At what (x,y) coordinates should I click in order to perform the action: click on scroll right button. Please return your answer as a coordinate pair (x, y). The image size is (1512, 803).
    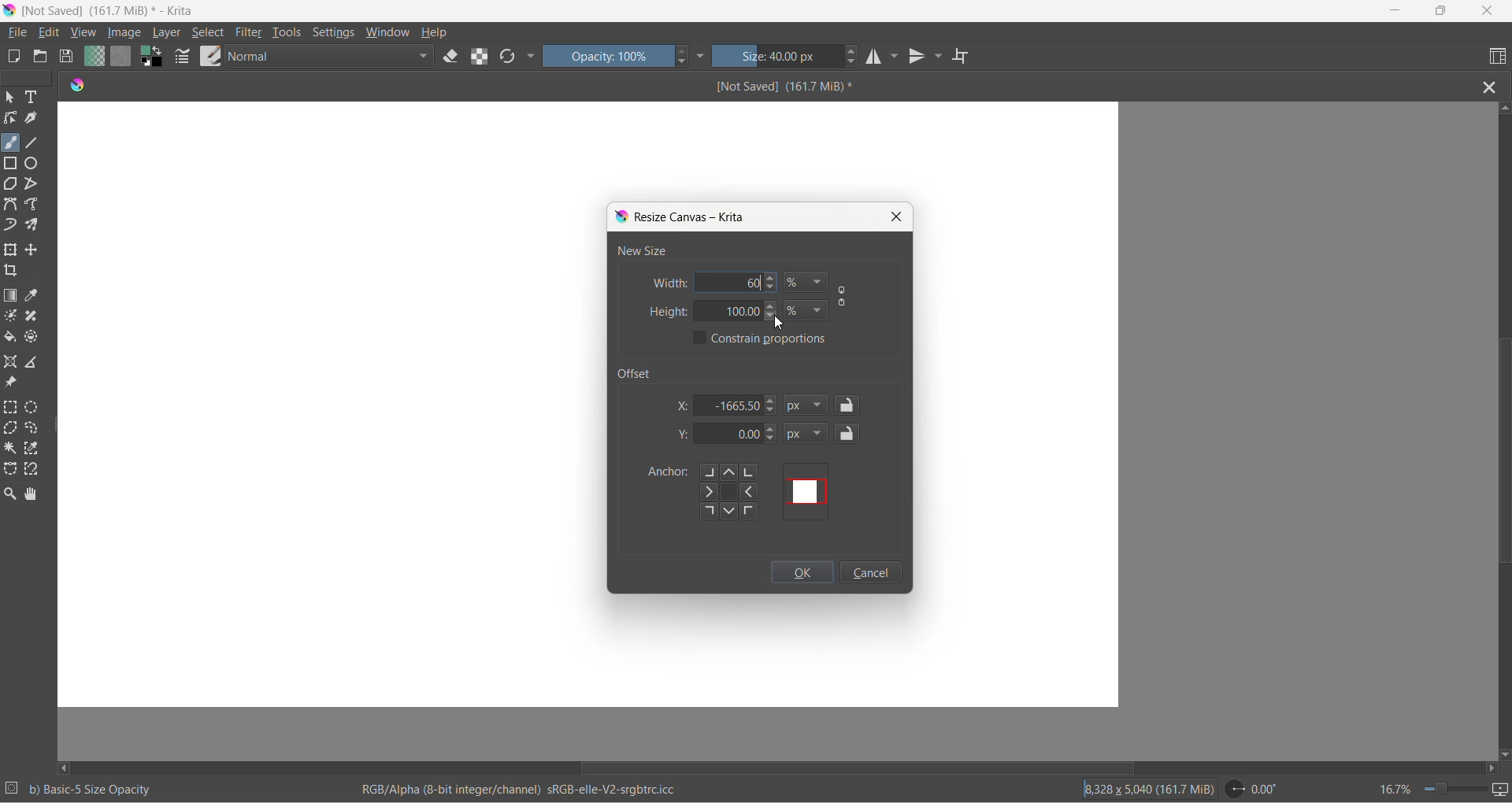
    Looking at the image, I should click on (1490, 768).